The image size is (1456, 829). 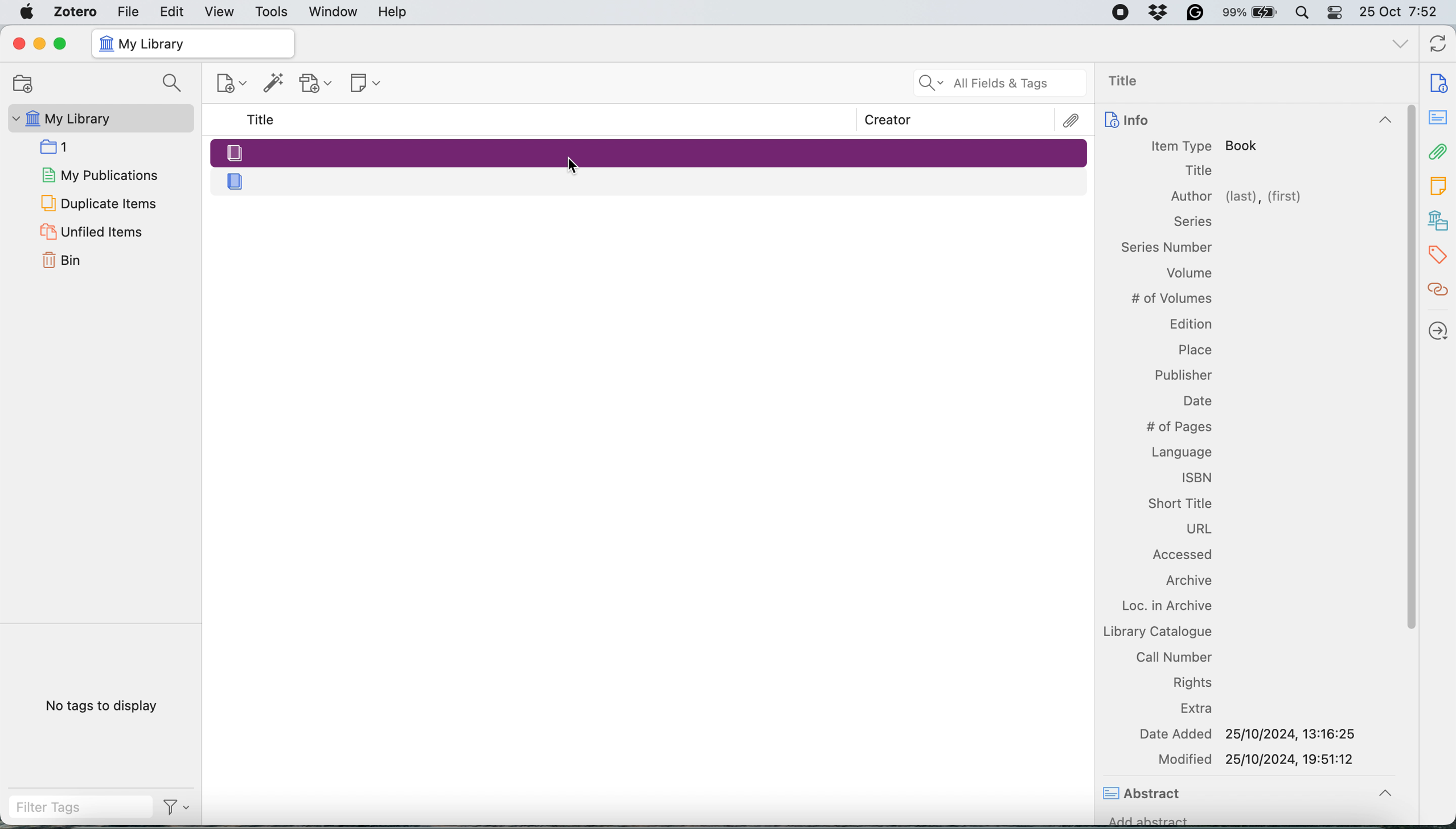 I want to click on # of Pages, so click(x=1178, y=427).